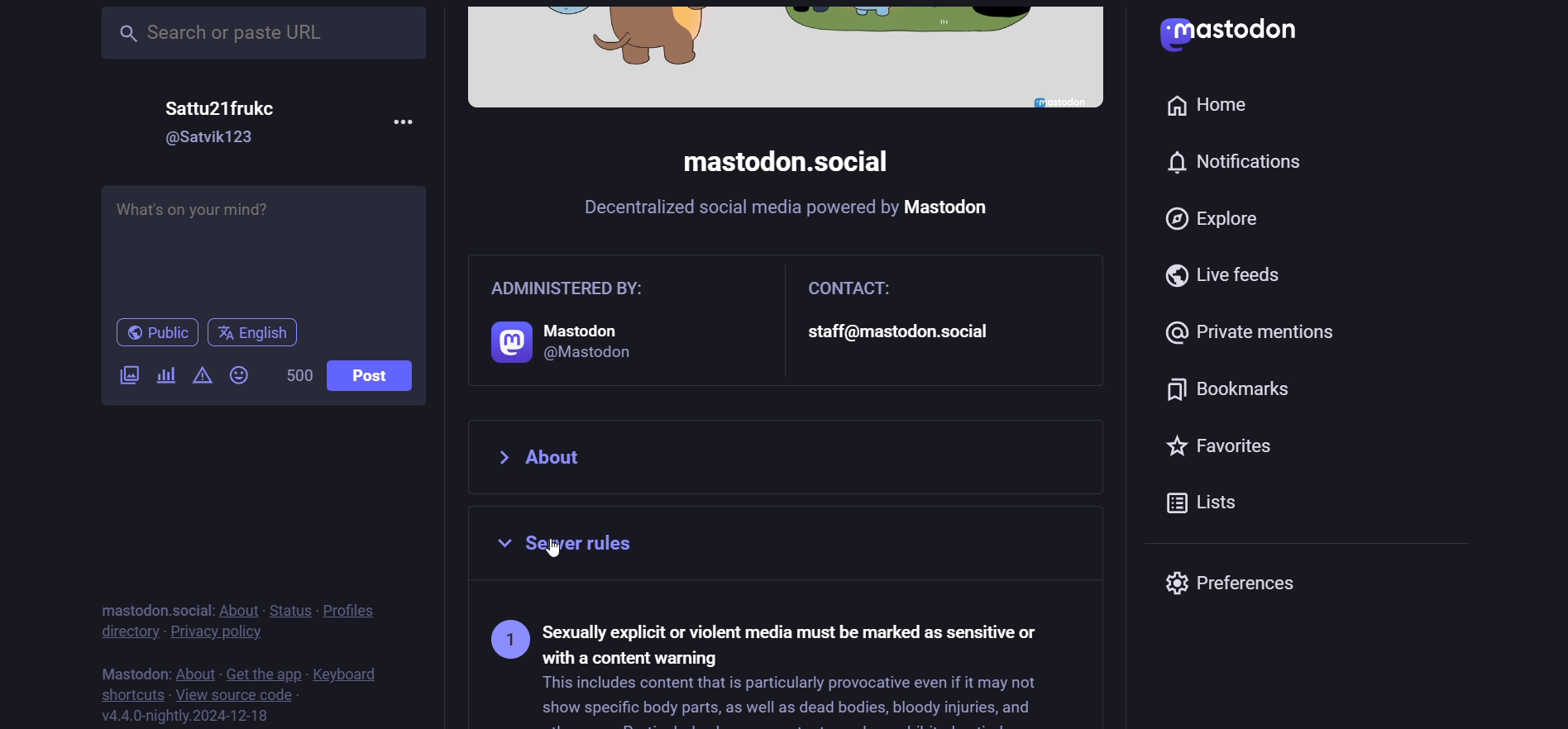  What do you see at coordinates (296, 375) in the screenshot?
I see `word limit` at bounding box center [296, 375].